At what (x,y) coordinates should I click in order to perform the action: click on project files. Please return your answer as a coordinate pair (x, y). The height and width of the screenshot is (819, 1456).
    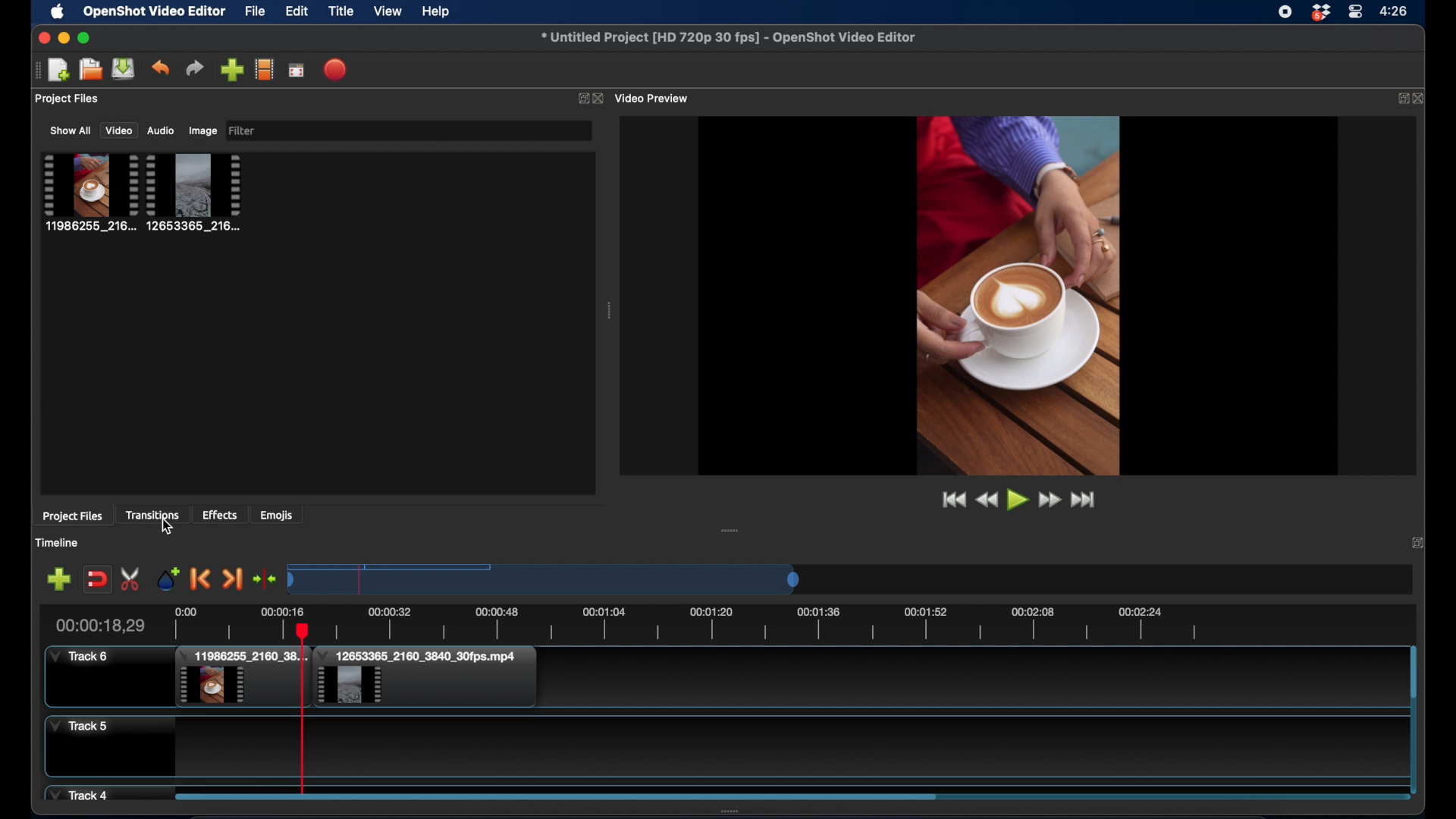
    Looking at the image, I should click on (72, 516).